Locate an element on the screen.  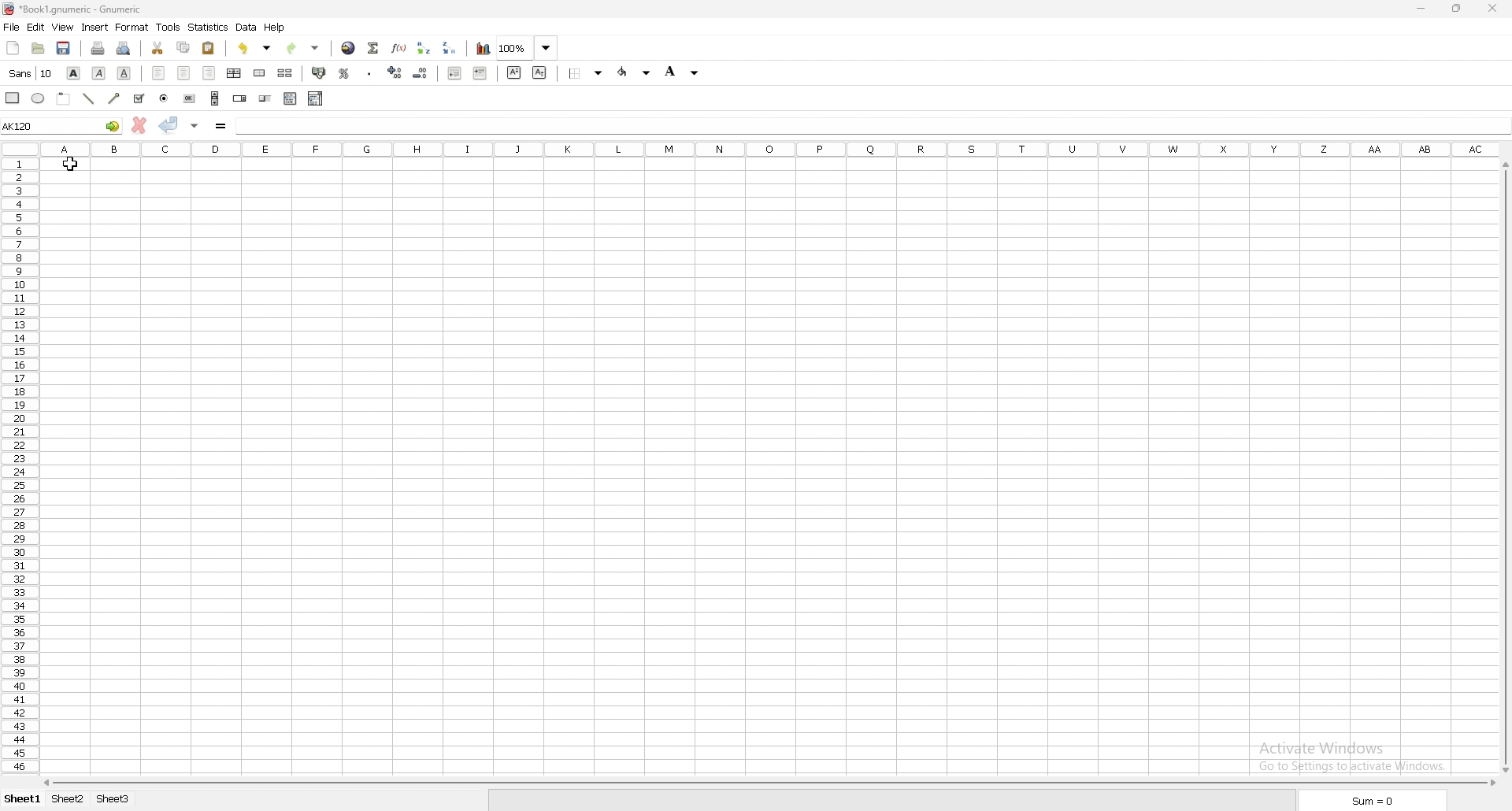
increase decimal is located at coordinates (395, 72).